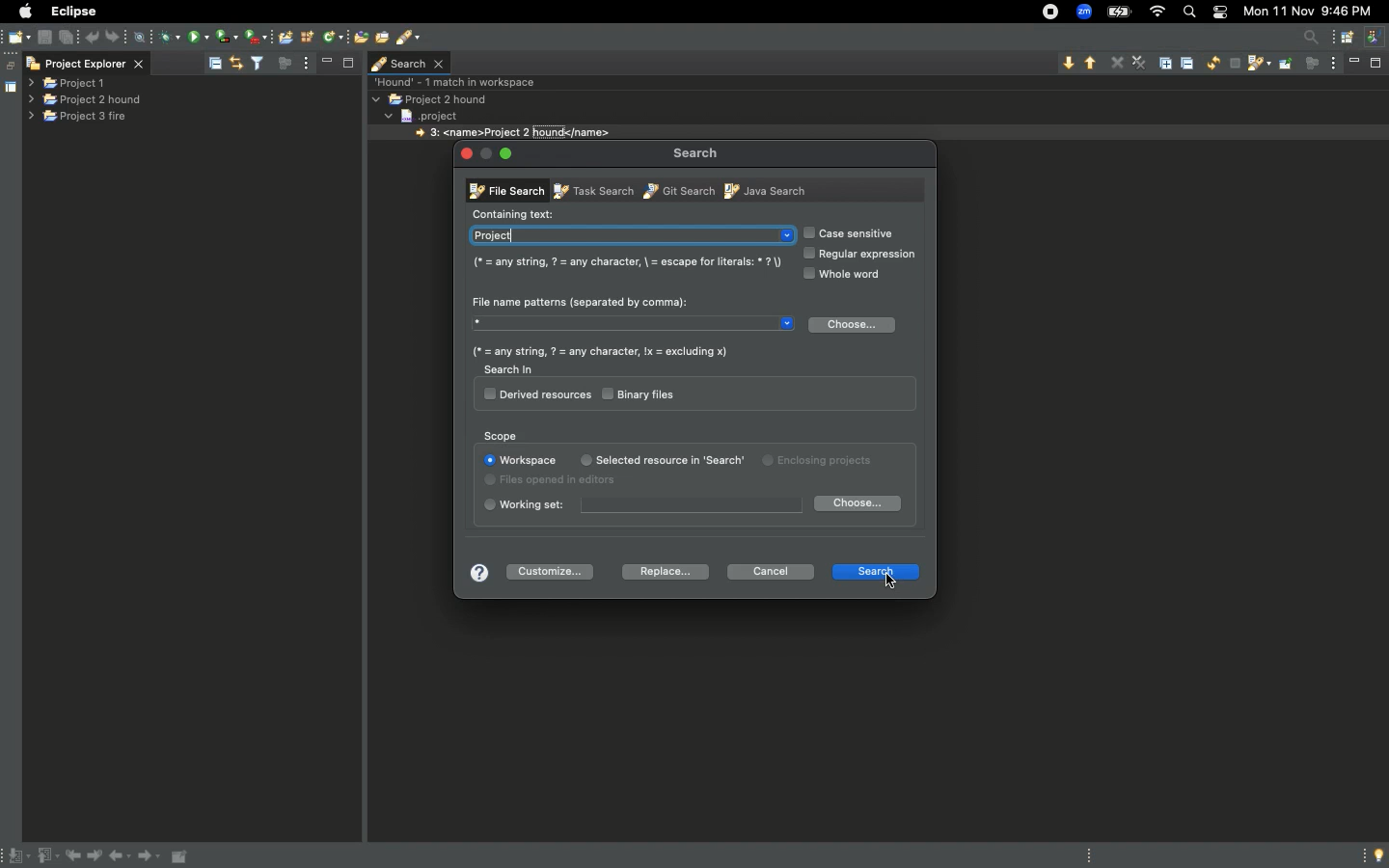 The height and width of the screenshot is (868, 1389). Describe the element at coordinates (874, 569) in the screenshot. I see `Search` at that location.